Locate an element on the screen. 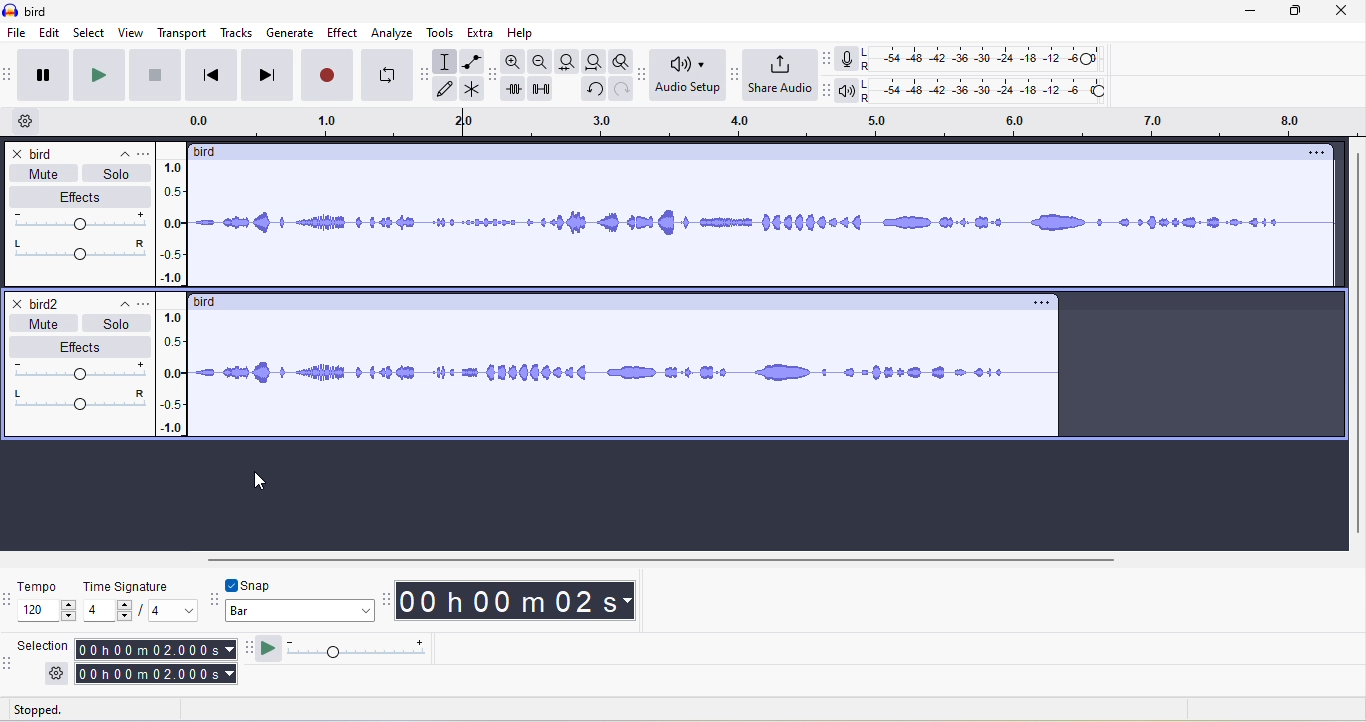  bird is located at coordinates (35, 153).